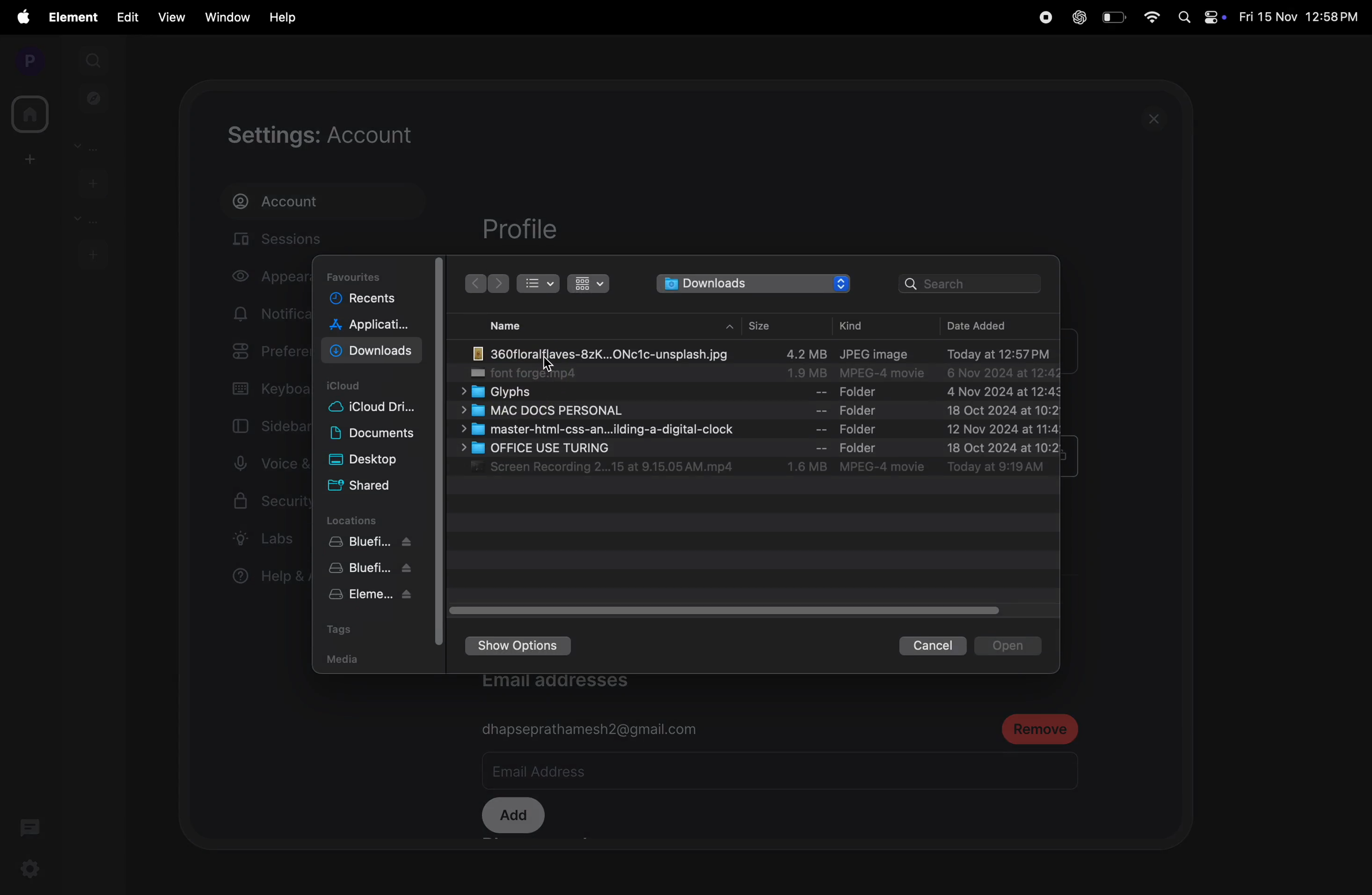 The height and width of the screenshot is (895, 1372). I want to click on add, so click(27, 159).